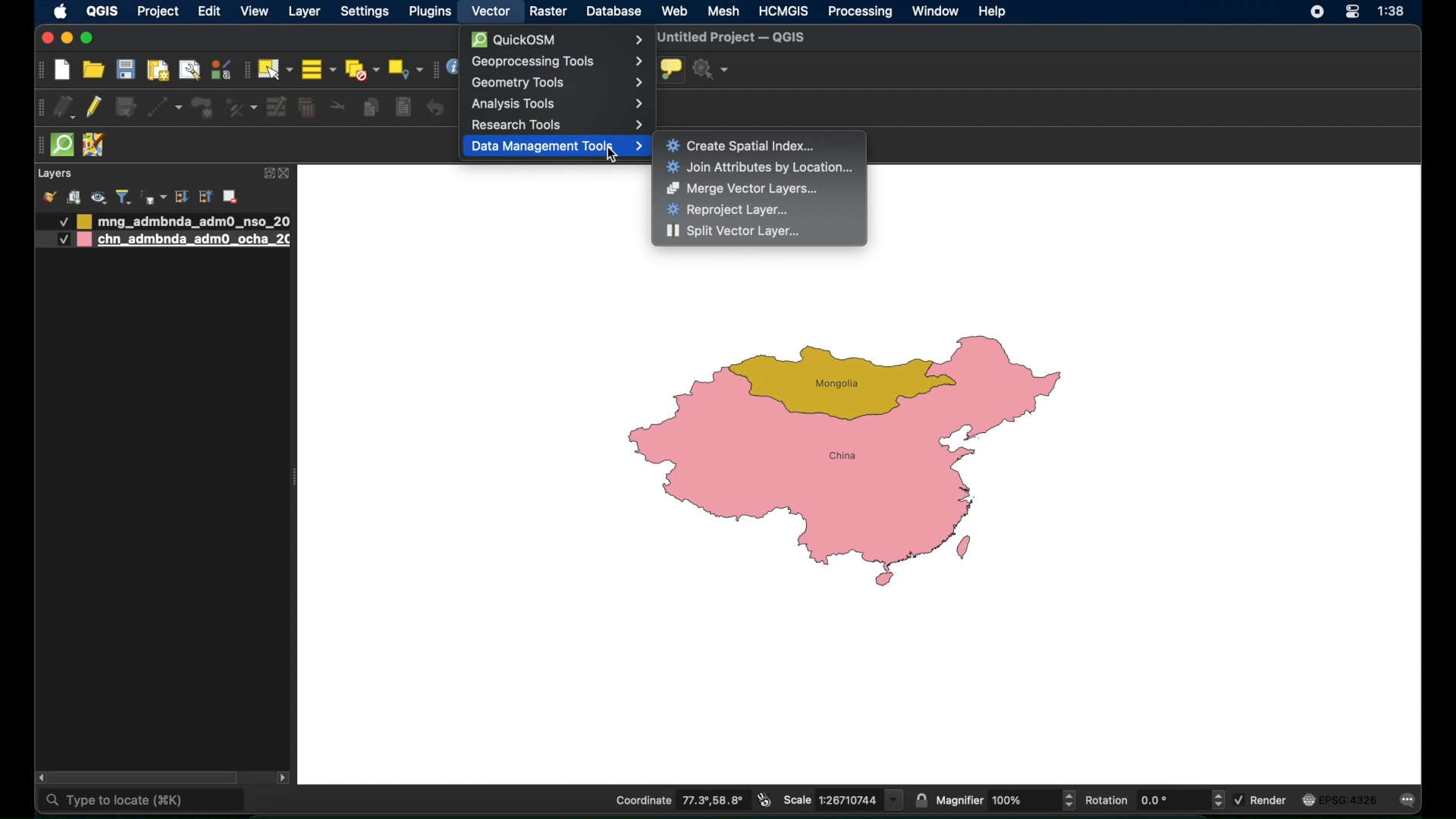 The width and height of the screenshot is (1456, 819). Describe the element at coordinates (360, 70) in the screenshot. I see `deselect all features` at that location.